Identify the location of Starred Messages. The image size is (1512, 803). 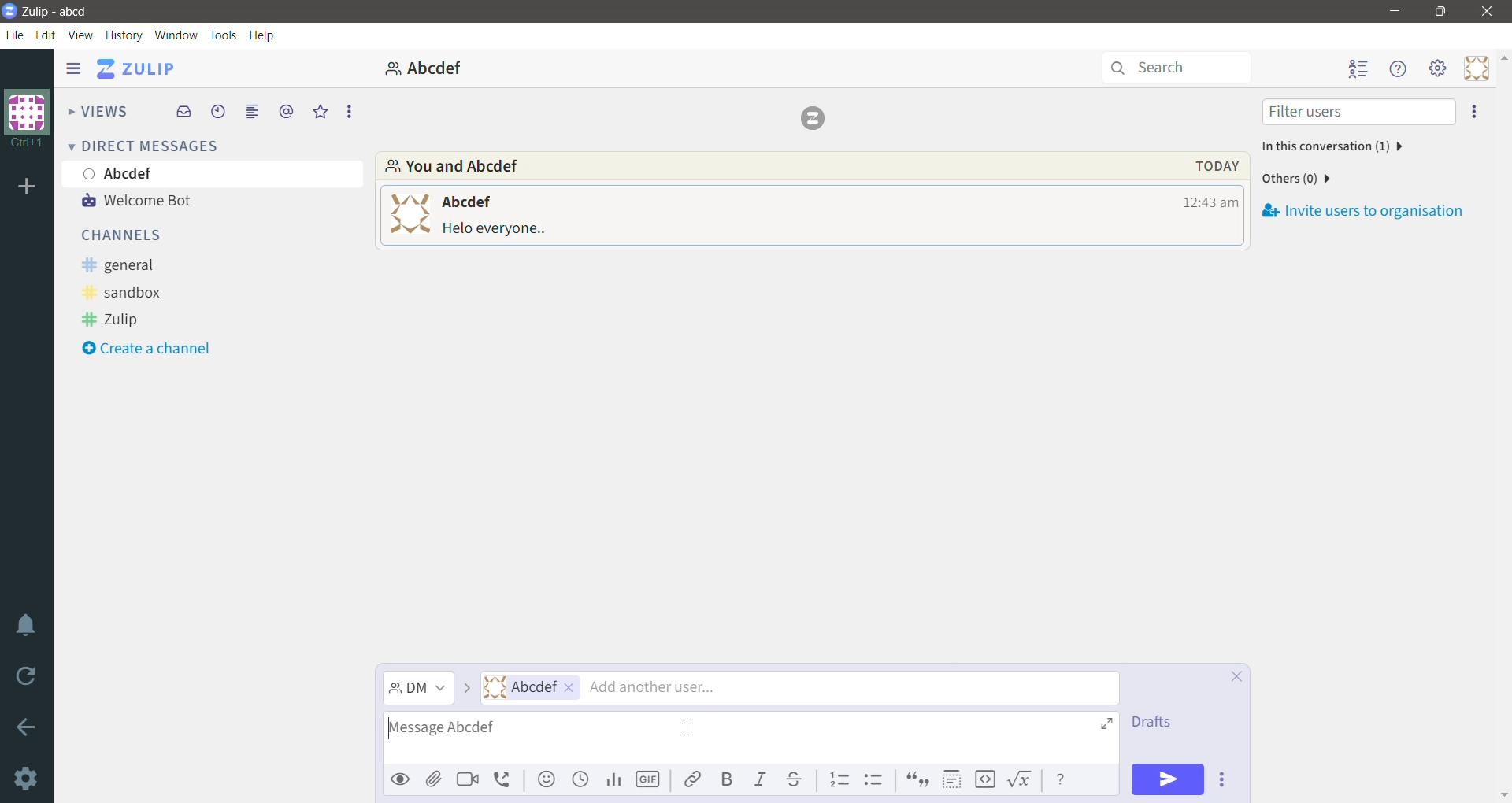
(317, 112).